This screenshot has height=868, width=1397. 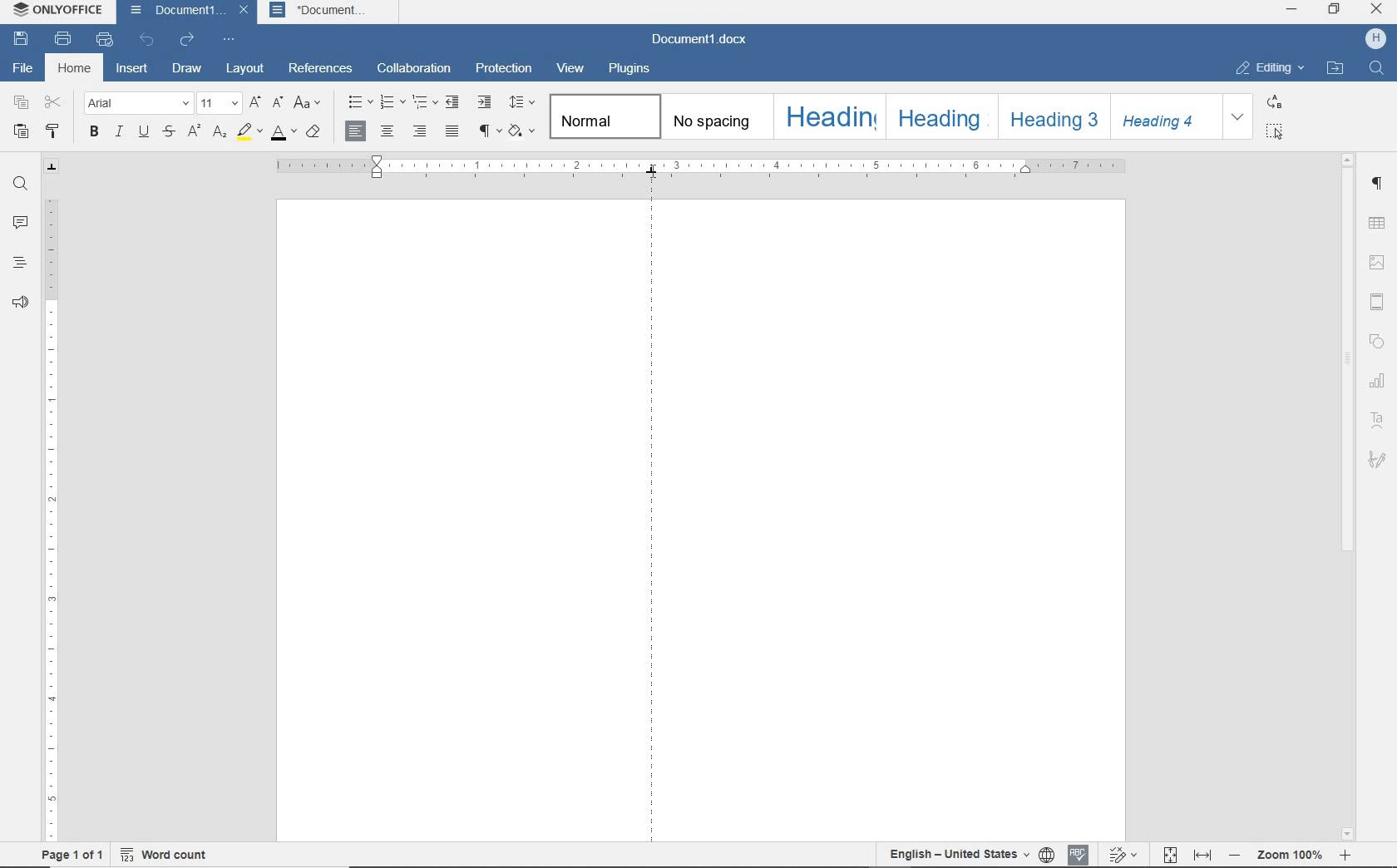 I want to click on REDO, so click(x=185, y=40).